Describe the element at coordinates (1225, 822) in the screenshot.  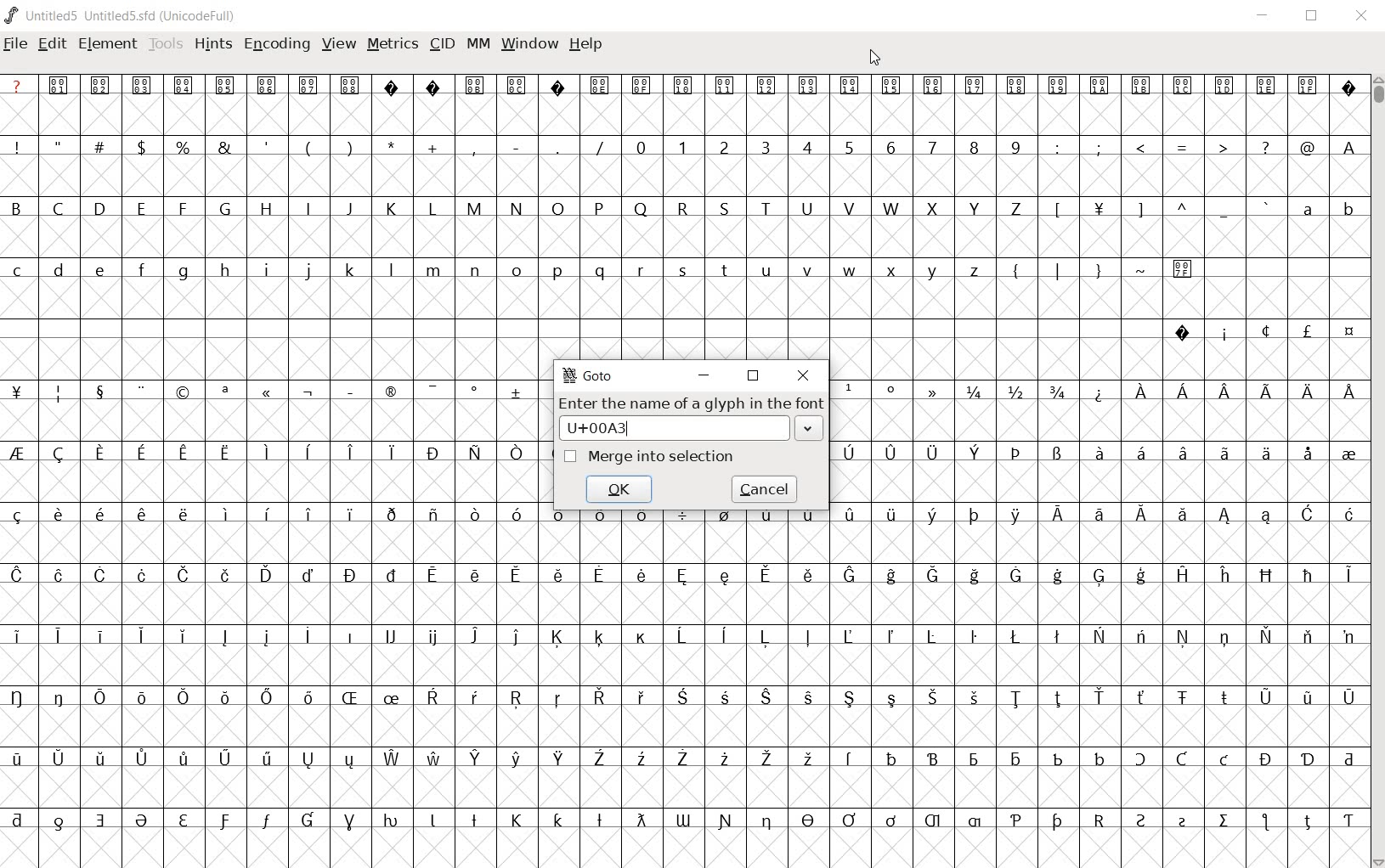
I see `Symbol` at that location.